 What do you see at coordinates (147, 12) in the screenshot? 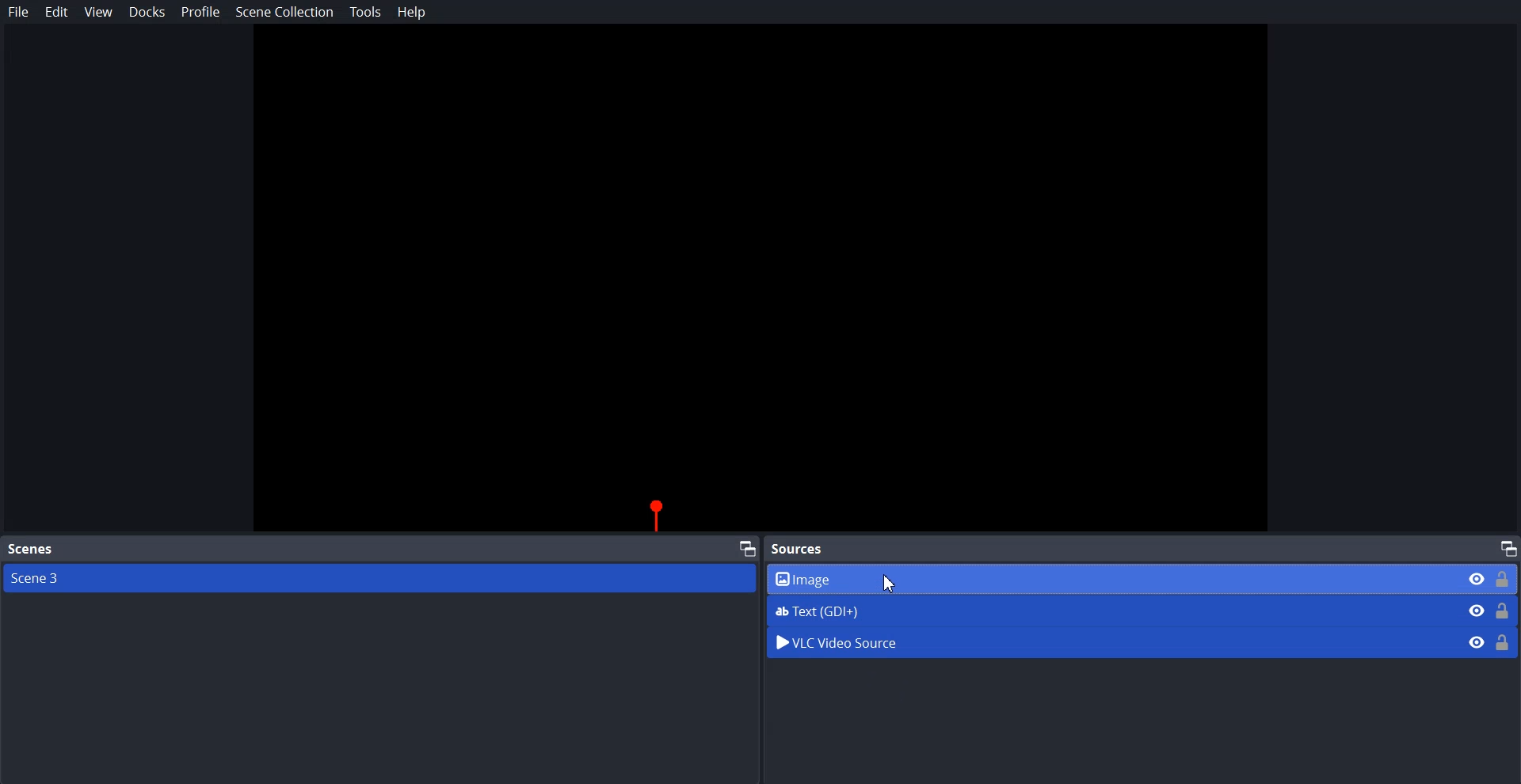
I see `Docks` at bounding box center [147, 12].